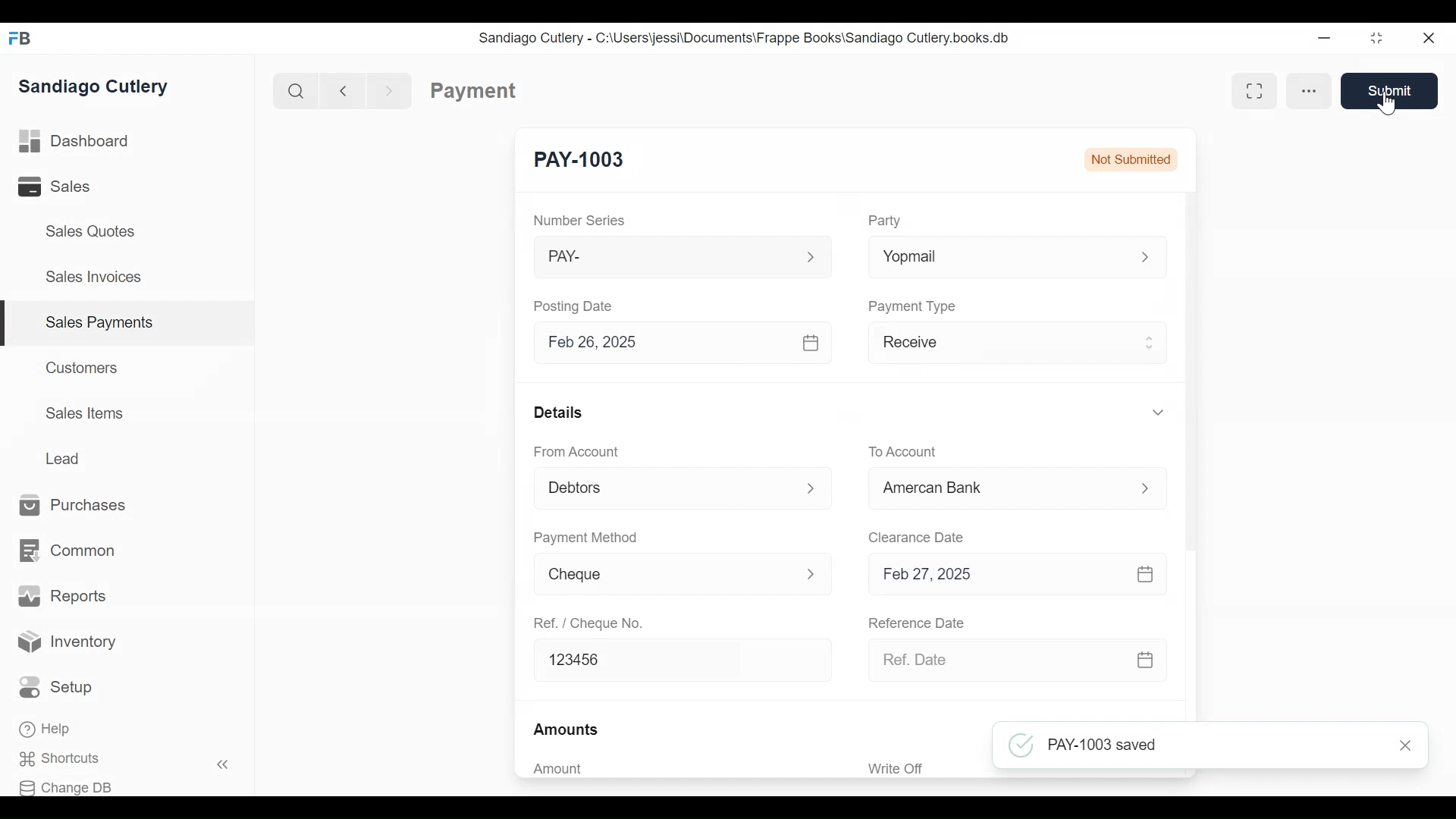 This screenshot has height=819, width=1456. What do you see at coordinates (812, 342) in the screenshot?
I see `Expand` at bounding box center [812, 342].